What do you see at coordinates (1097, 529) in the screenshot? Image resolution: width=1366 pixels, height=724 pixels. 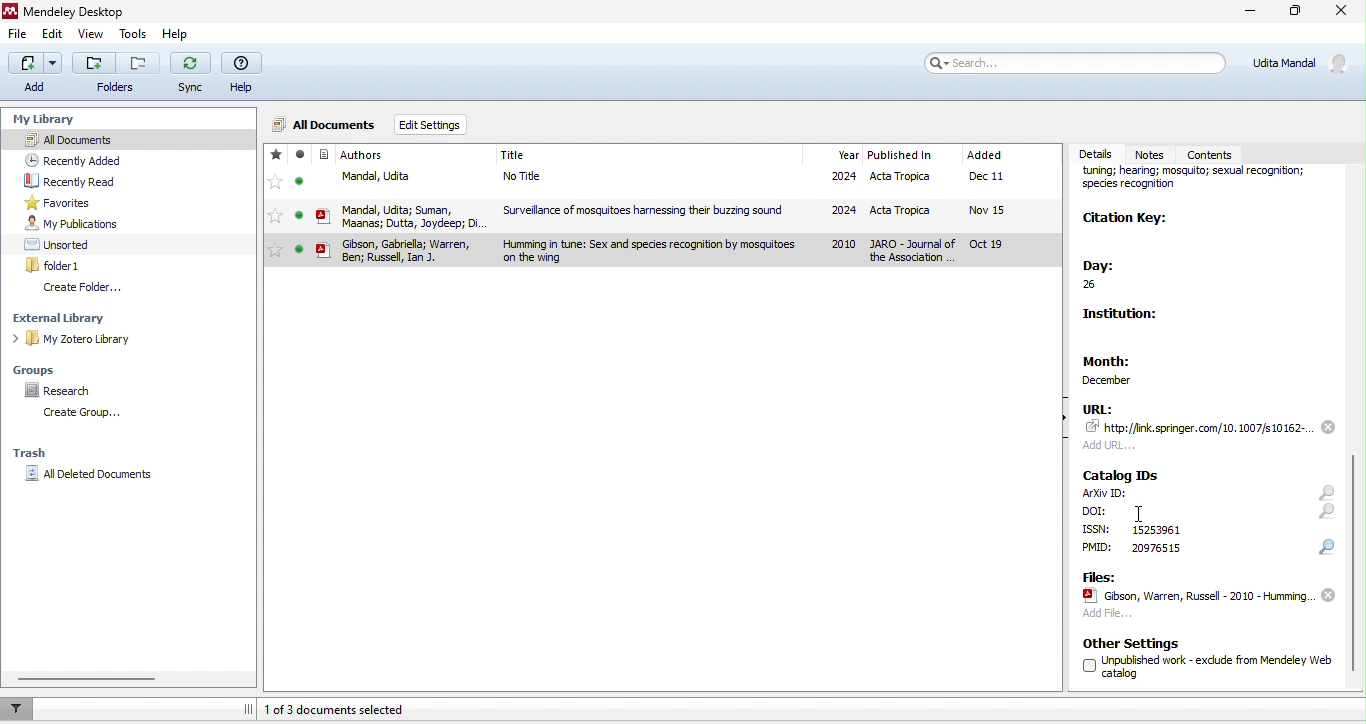 I see `text` at bounding box center [1097, 529].